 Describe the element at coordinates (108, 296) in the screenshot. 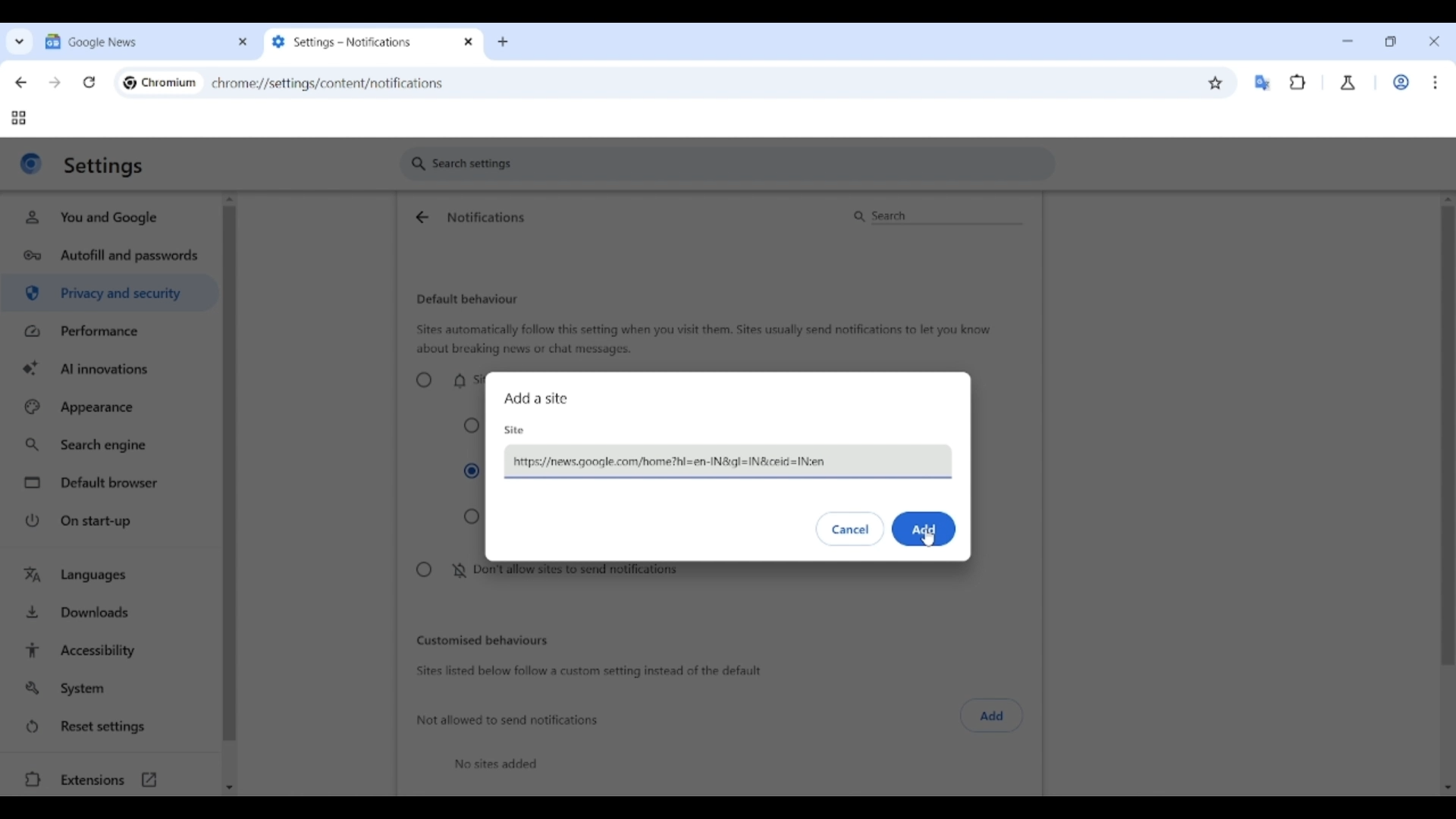

I see `Privacy and security highlighted` at that location.